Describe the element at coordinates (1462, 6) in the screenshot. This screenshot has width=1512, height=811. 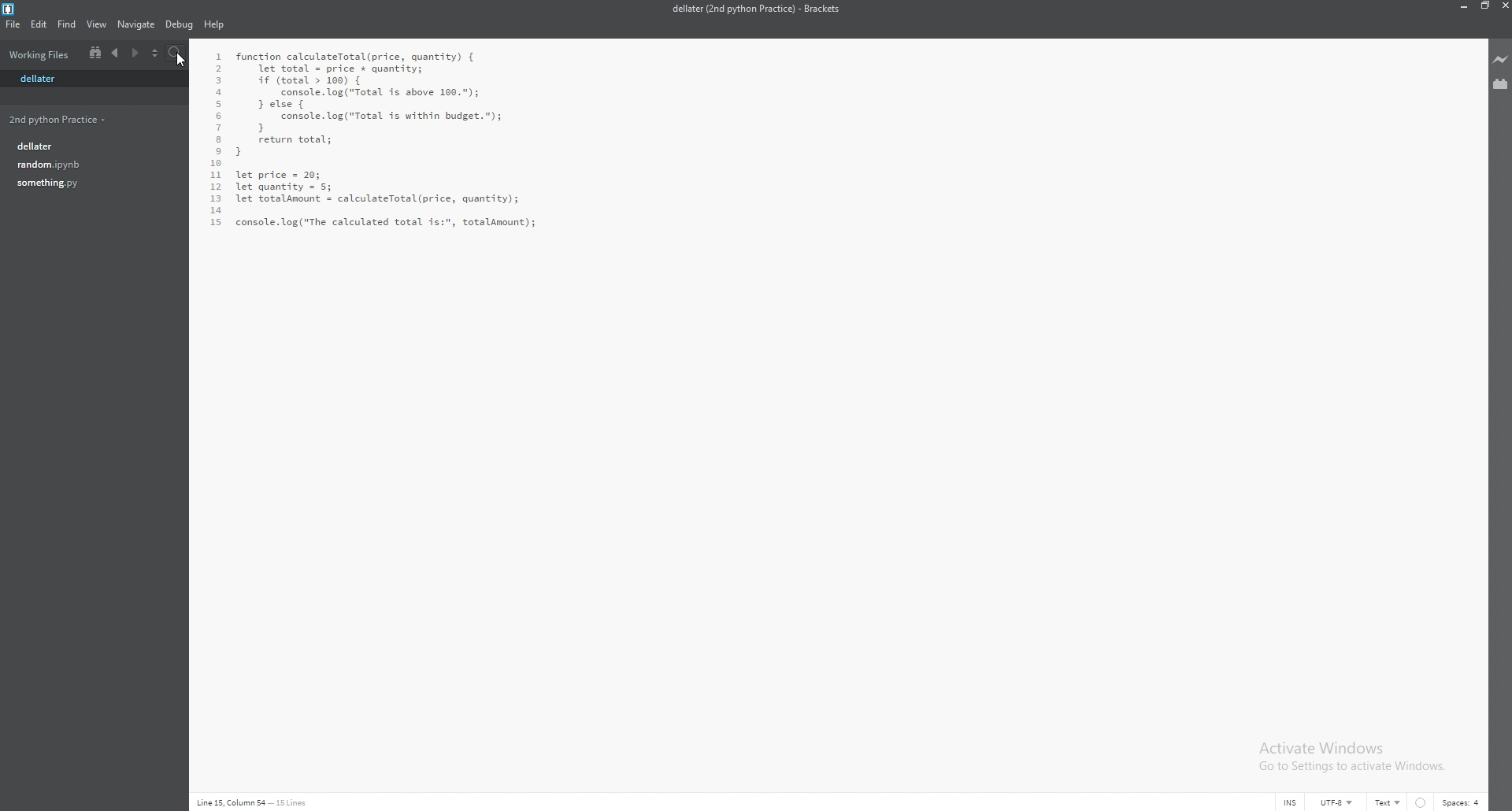
I see `minimize` at that location.